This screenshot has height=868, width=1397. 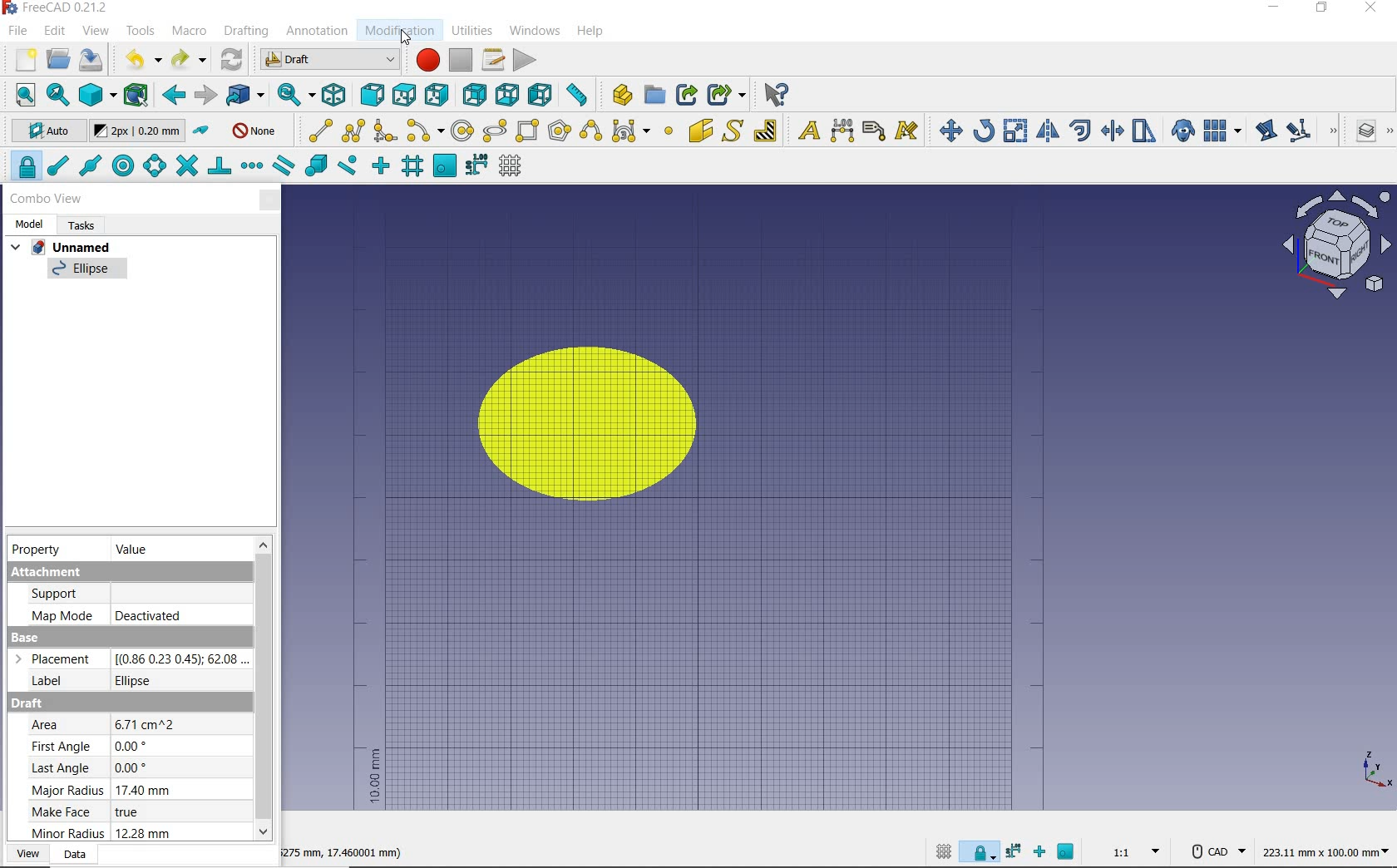 What do you see at coordinates (1372, 9) in the screenshot?
I see `close` at bounding box center [1372, 9].